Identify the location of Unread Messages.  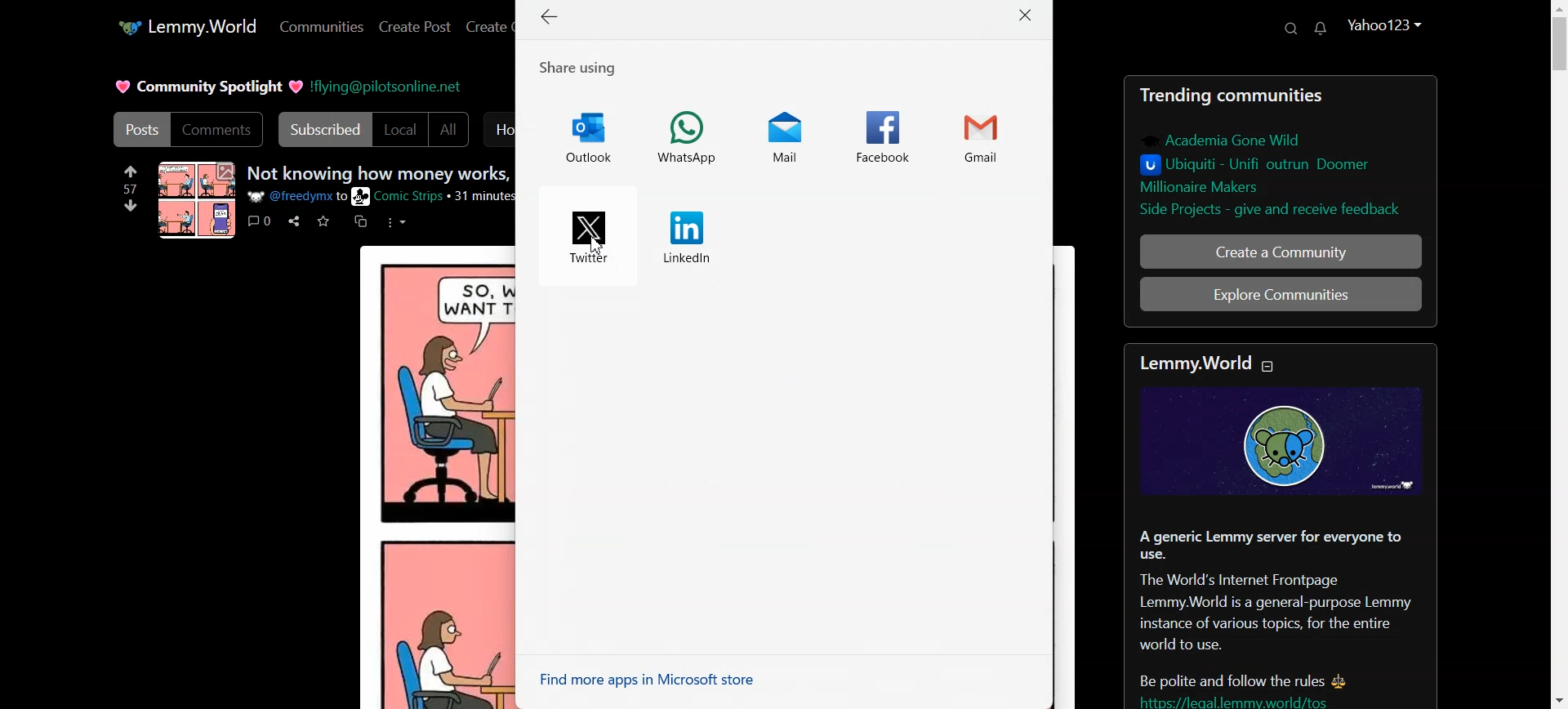
(1321, 29).